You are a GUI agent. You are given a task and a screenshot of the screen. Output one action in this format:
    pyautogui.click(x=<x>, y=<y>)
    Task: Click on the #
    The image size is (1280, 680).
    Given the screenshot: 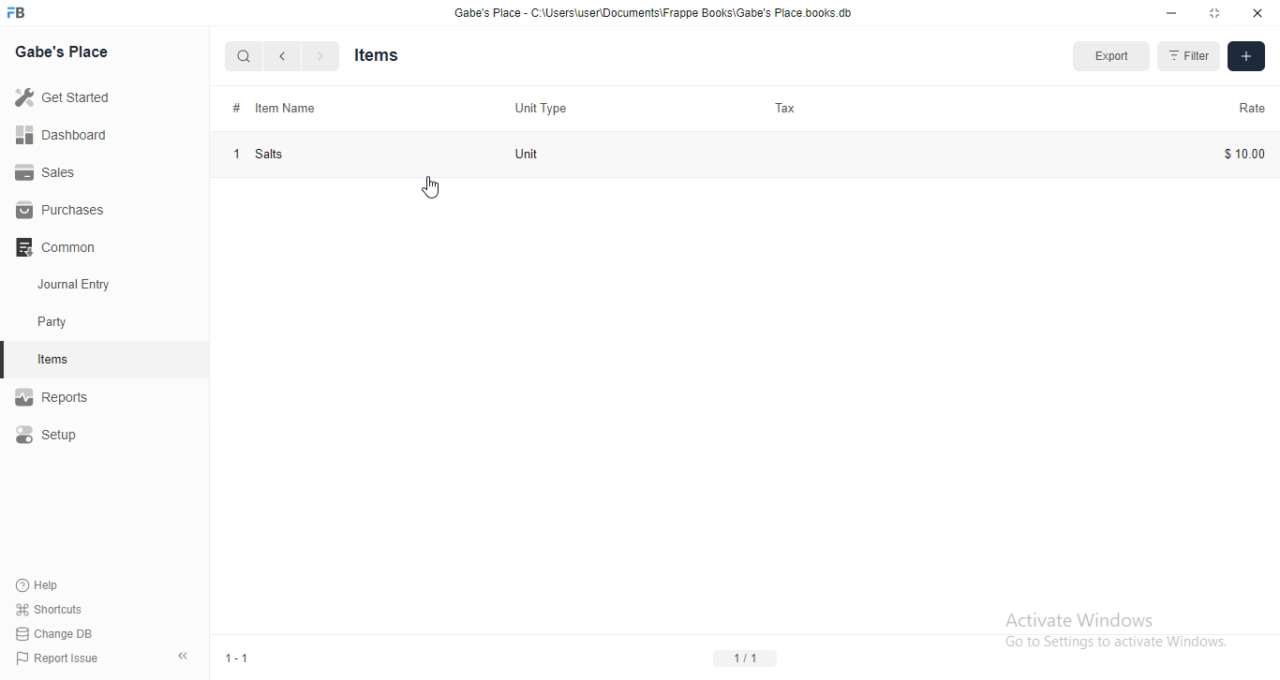 What is the action you would take?
    pyautogui.click(x=237, y=107)
    